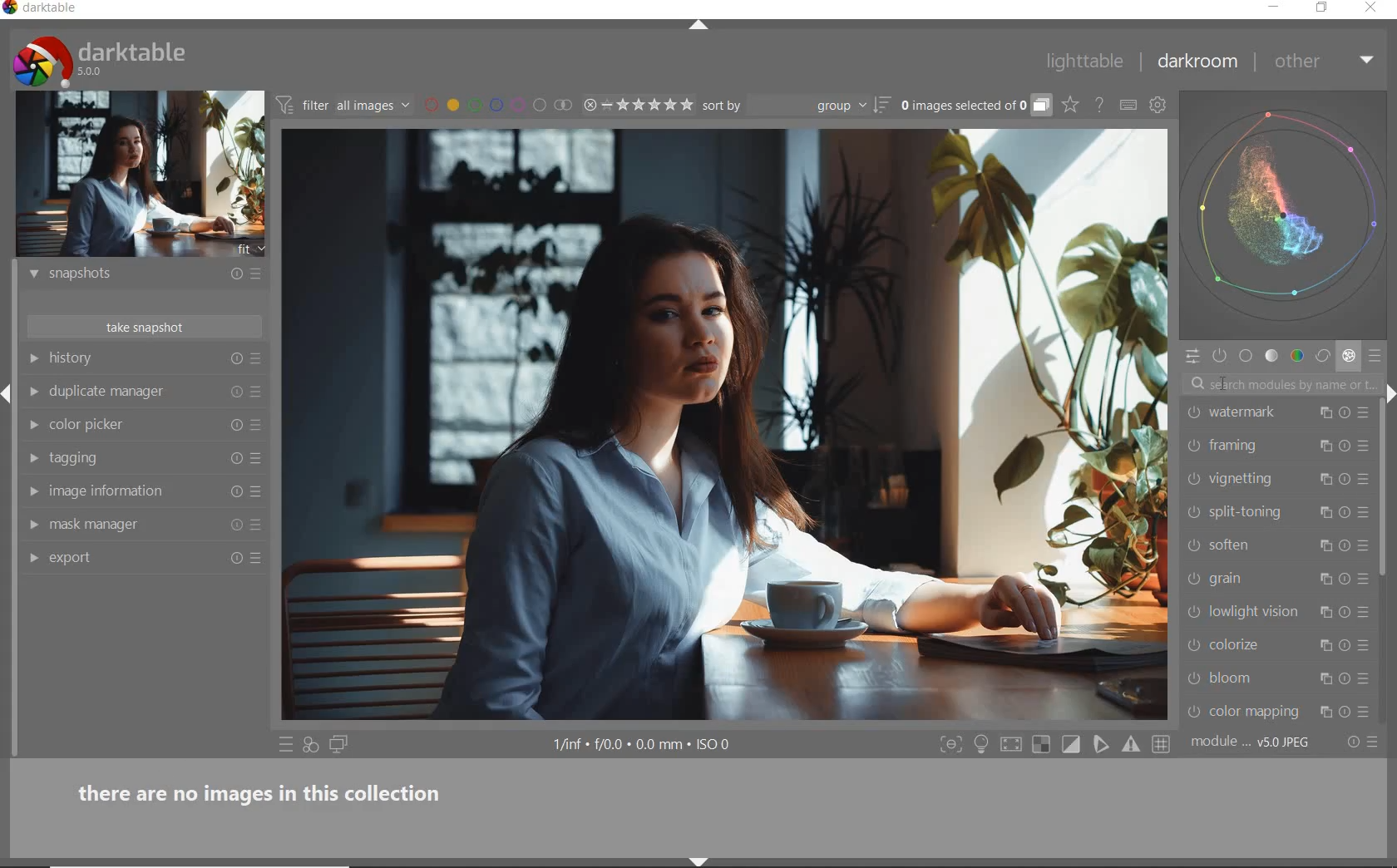 This screenshot has height=868, width=1397. I want to click on search module by name, so click(1279, 385).